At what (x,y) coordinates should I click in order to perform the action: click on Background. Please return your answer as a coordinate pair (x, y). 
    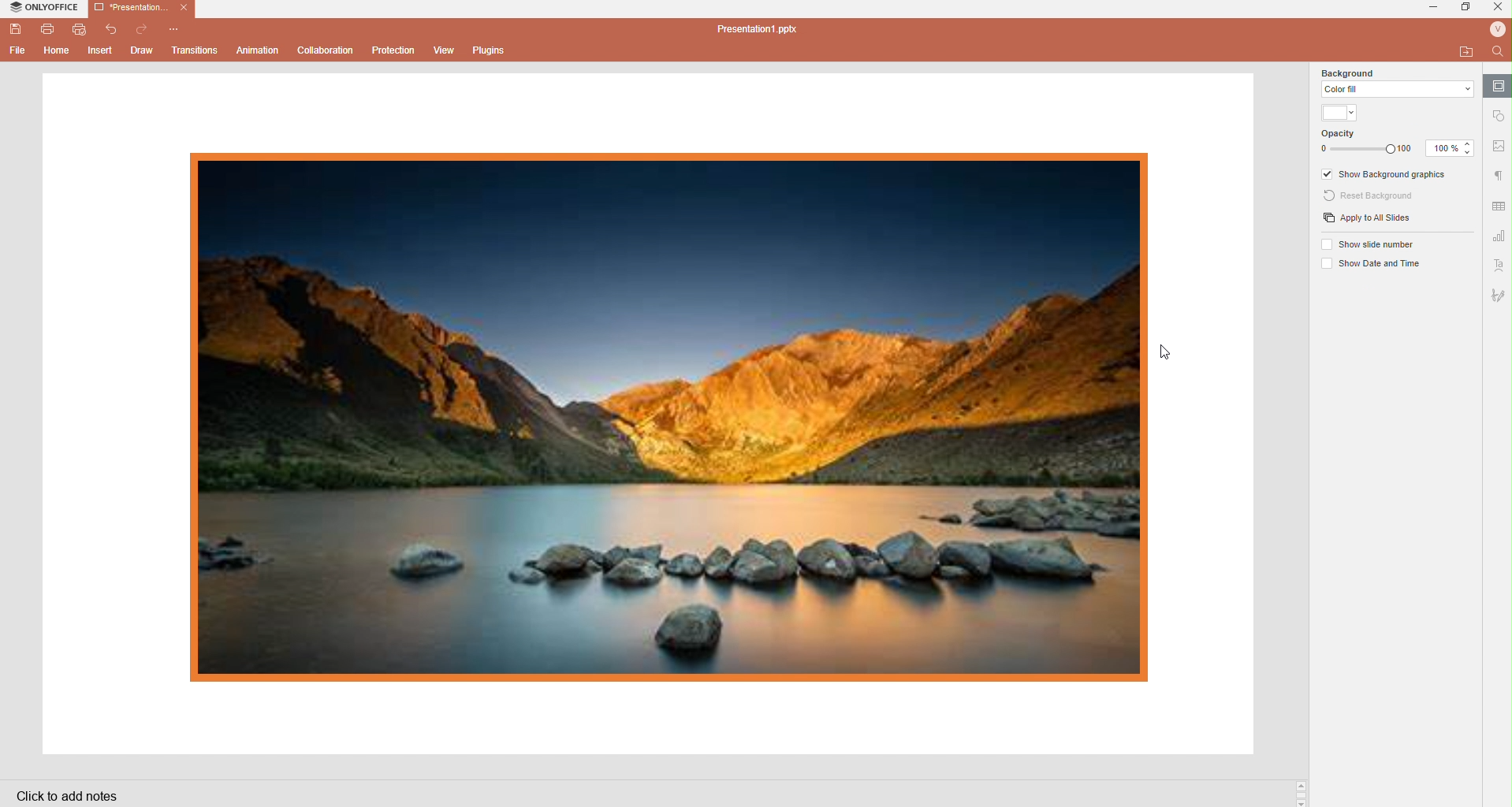
    Looking at the image, I should click on (1395, 83).